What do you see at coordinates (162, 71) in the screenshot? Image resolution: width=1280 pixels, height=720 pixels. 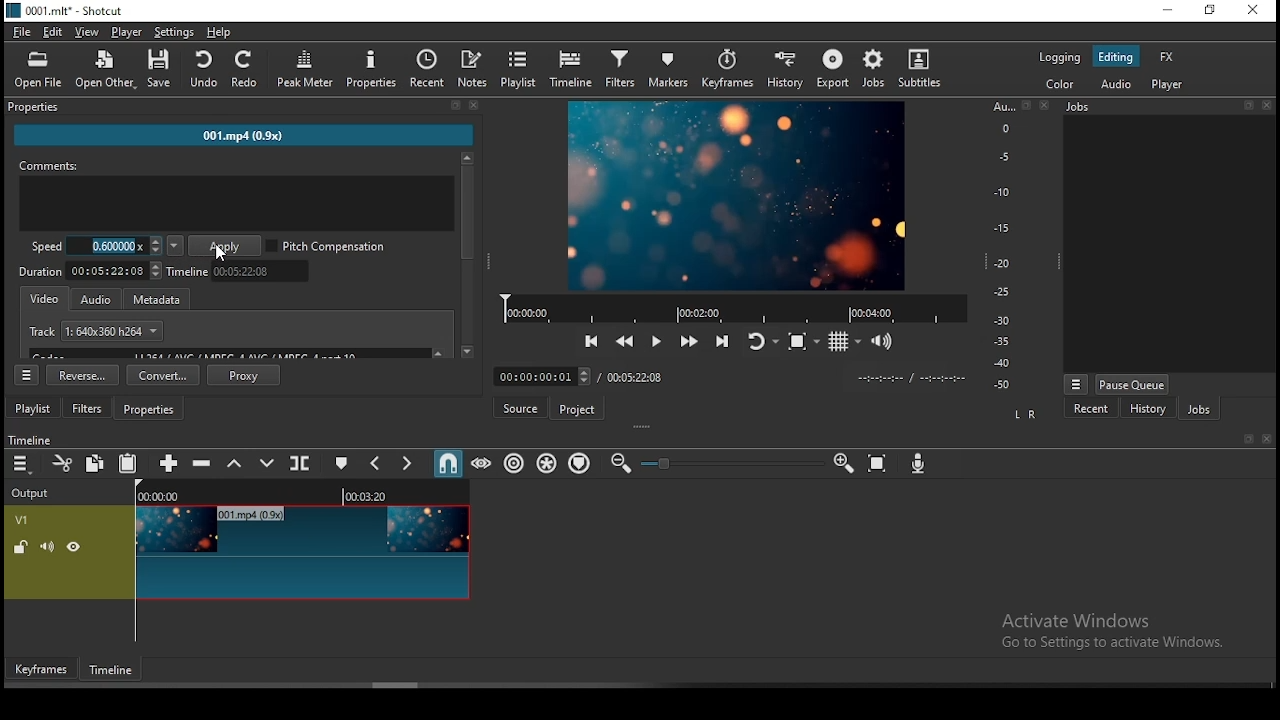 I see `save` at bounding box center [162, 71].